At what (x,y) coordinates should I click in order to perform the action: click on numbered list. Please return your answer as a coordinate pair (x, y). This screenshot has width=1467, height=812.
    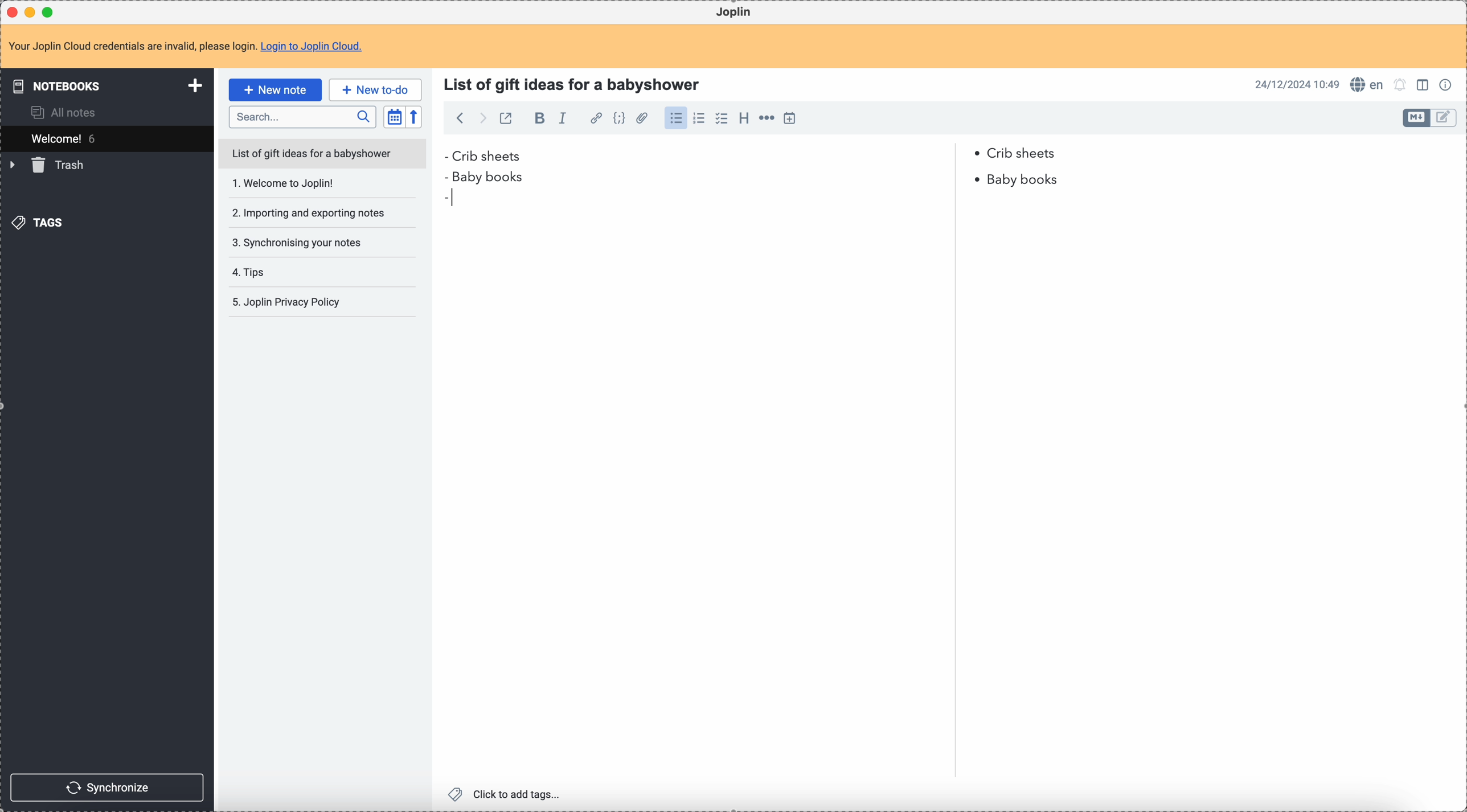
    Looking at the image, I should click on (702, 119).